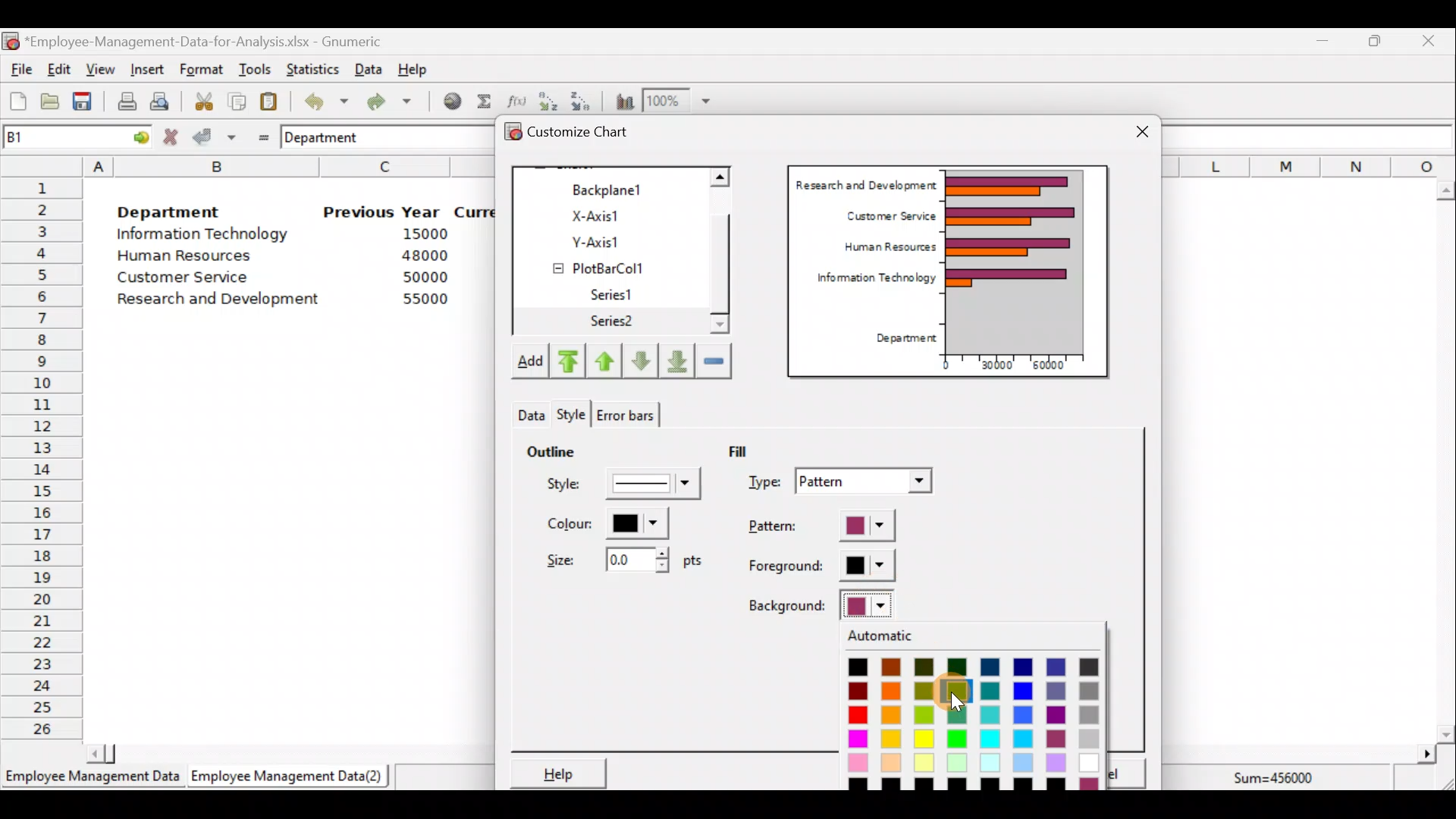 The width and height of the screenshot is (1456, 819). What do you see at coordinates (187, 281) in the screenshot?
I see `Customer Service` at bounding box center [187, 281].